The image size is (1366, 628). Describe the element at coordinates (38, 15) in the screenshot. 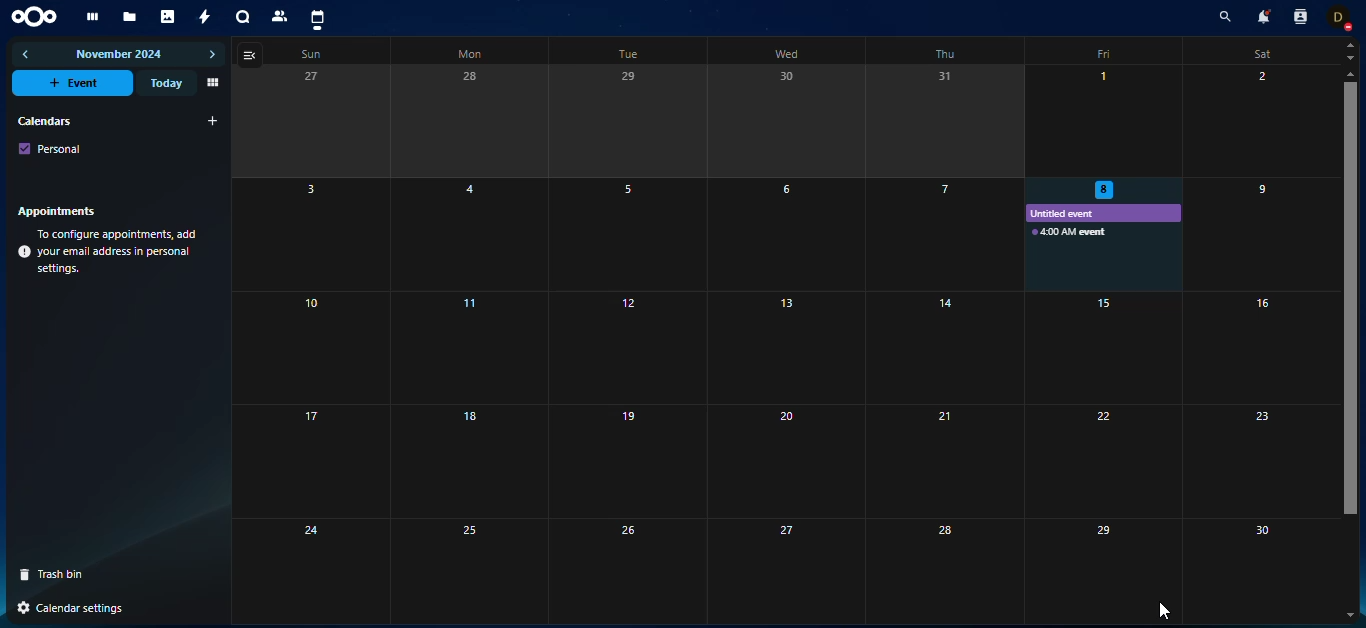

I see `nextcloud` at that location.